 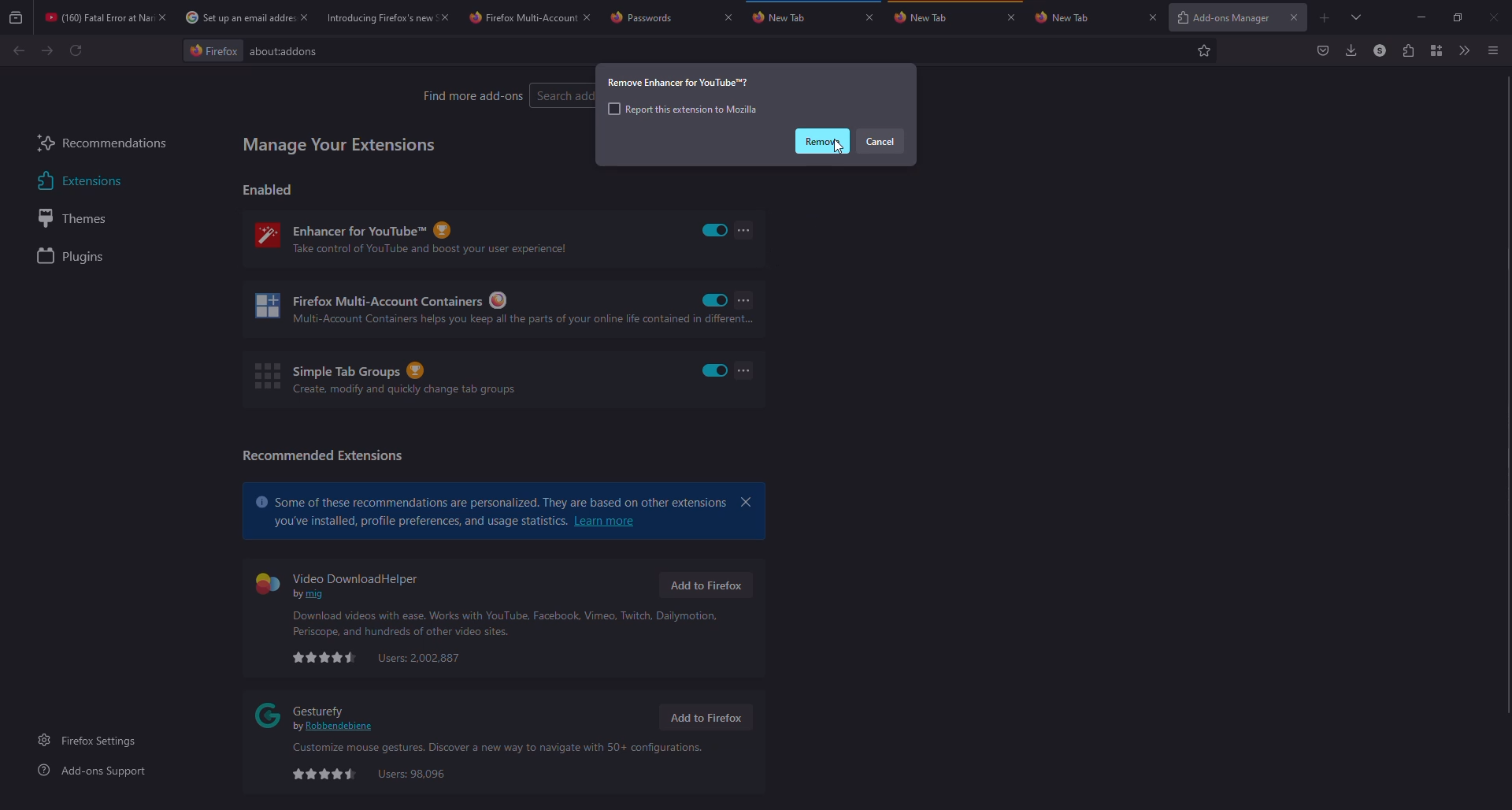 What do you see at coordinates (213, 51) in the screenshot?
I see `Current search engine` at bounding box center [213, 51].